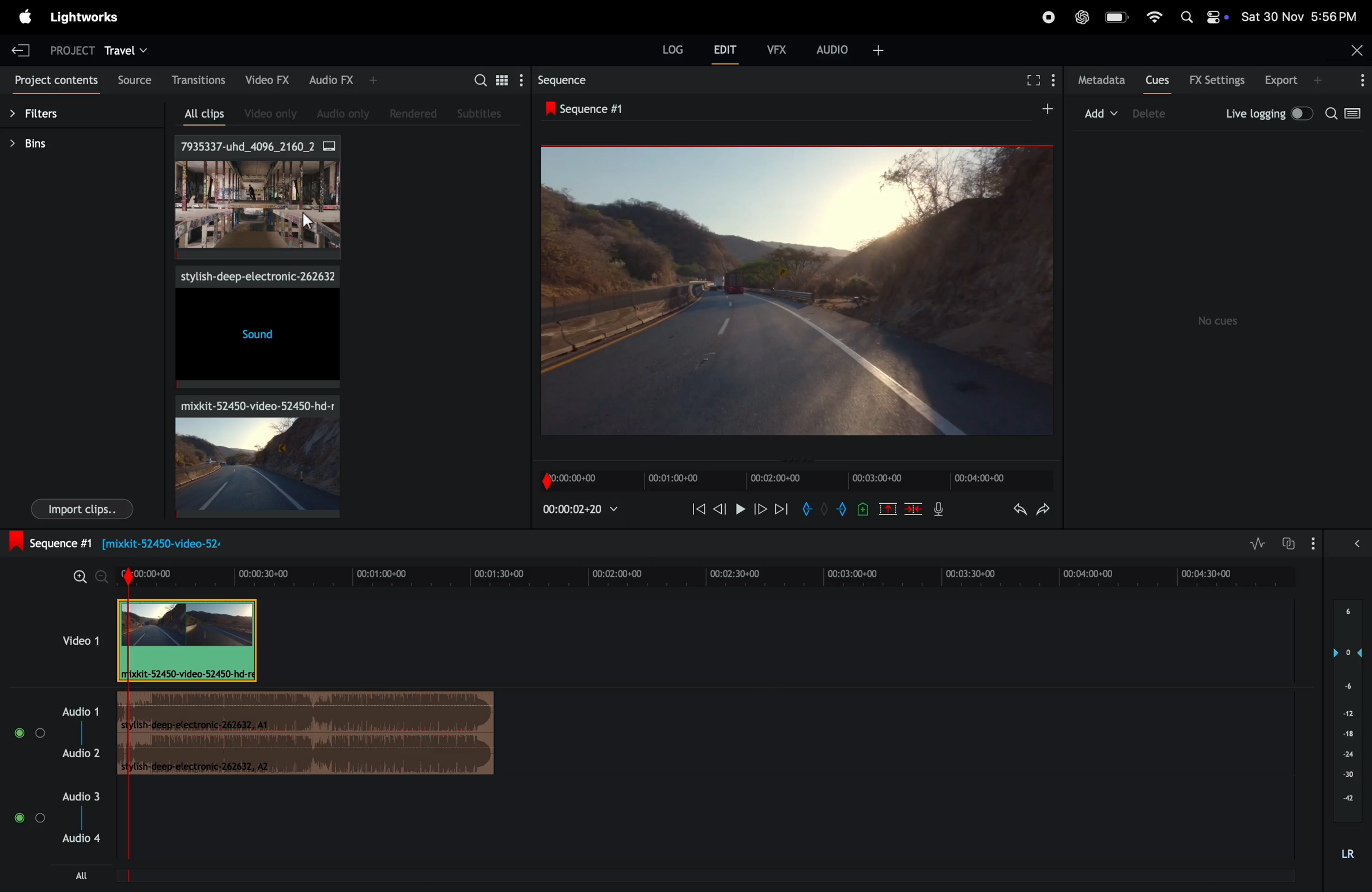 Image resolution: width=1372 pixels, height=892 pixels. What do you see at coordinates (1356, 48) in the screenshot?
I see `close` at bounding box center [1356, 48].